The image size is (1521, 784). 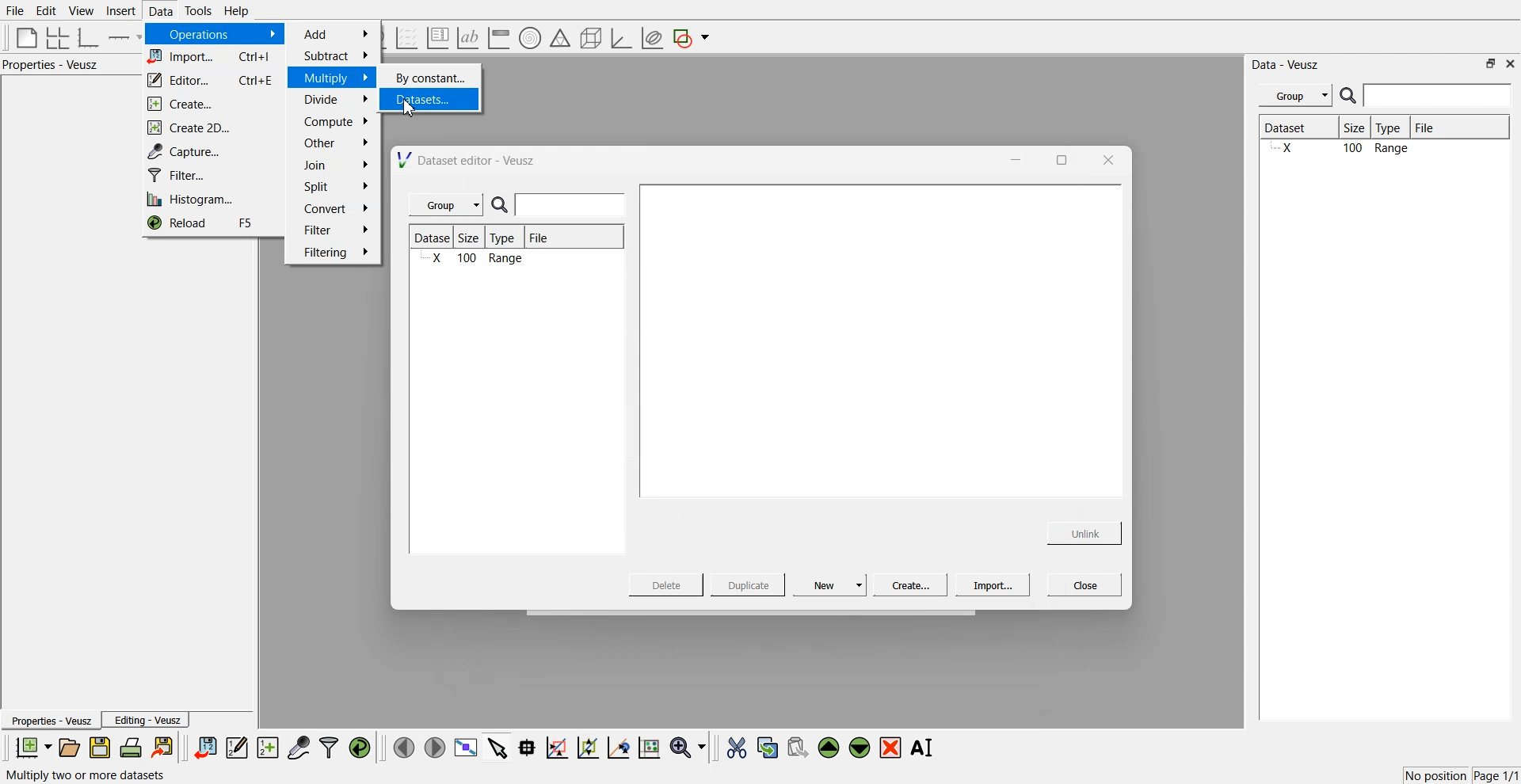 What do you see at coordinates (336, 121) in the screenshot?
I see `Compute` at bounding box center [336, 121].